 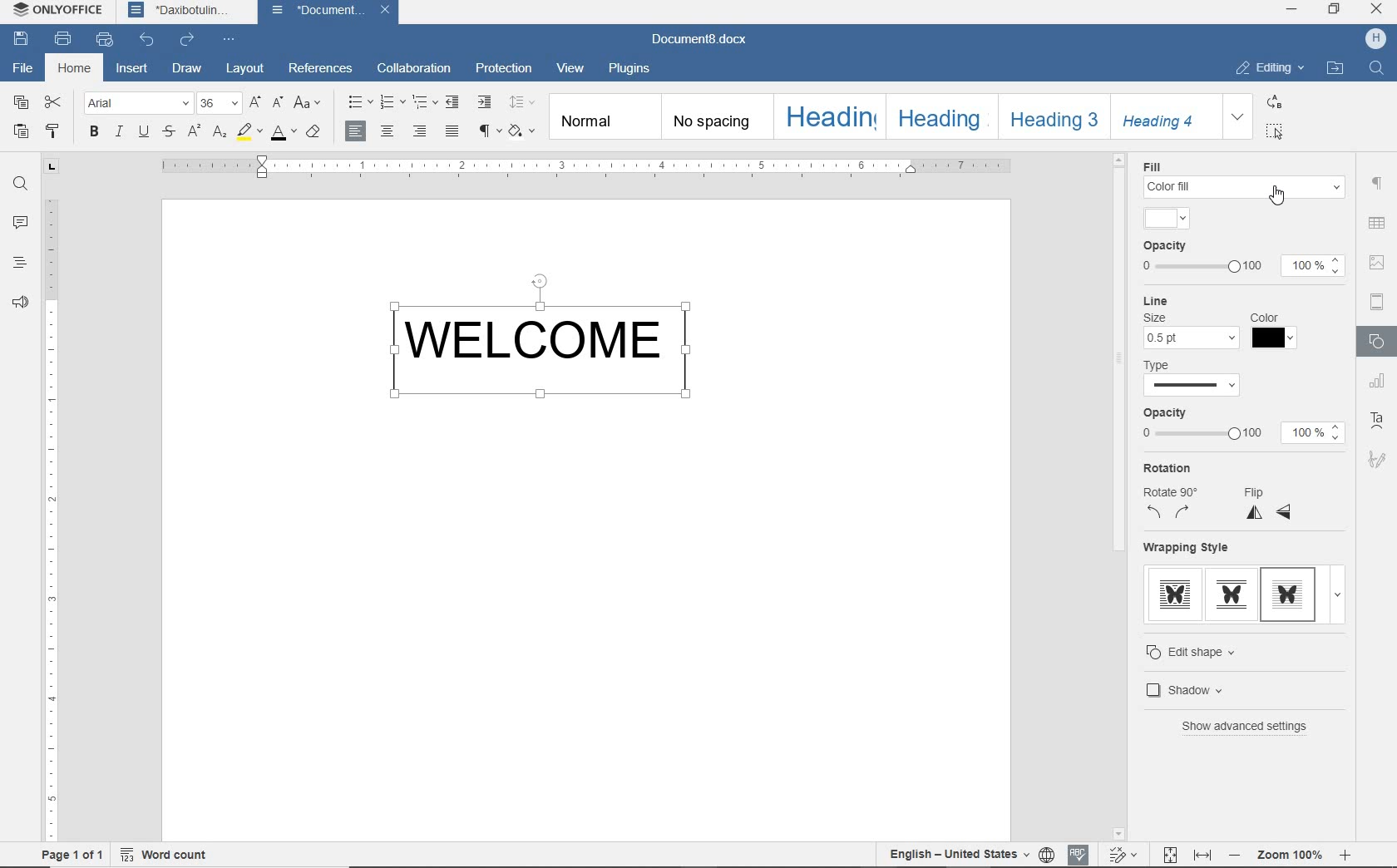 I want to click on SUPERSCRIPT, so click(x=193, y=131).